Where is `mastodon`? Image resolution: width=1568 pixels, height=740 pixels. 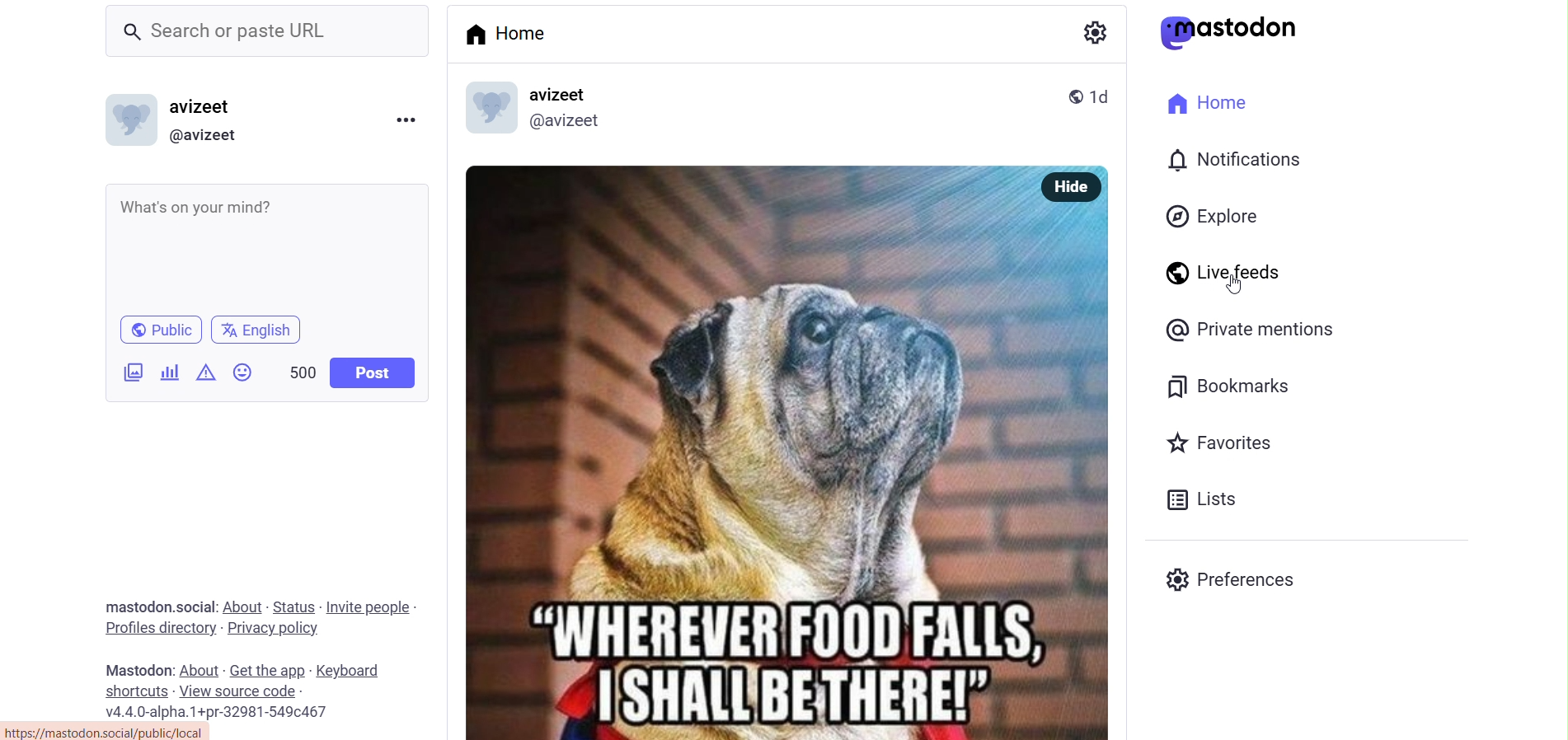 mastodon is located at coordinates (138, 607).